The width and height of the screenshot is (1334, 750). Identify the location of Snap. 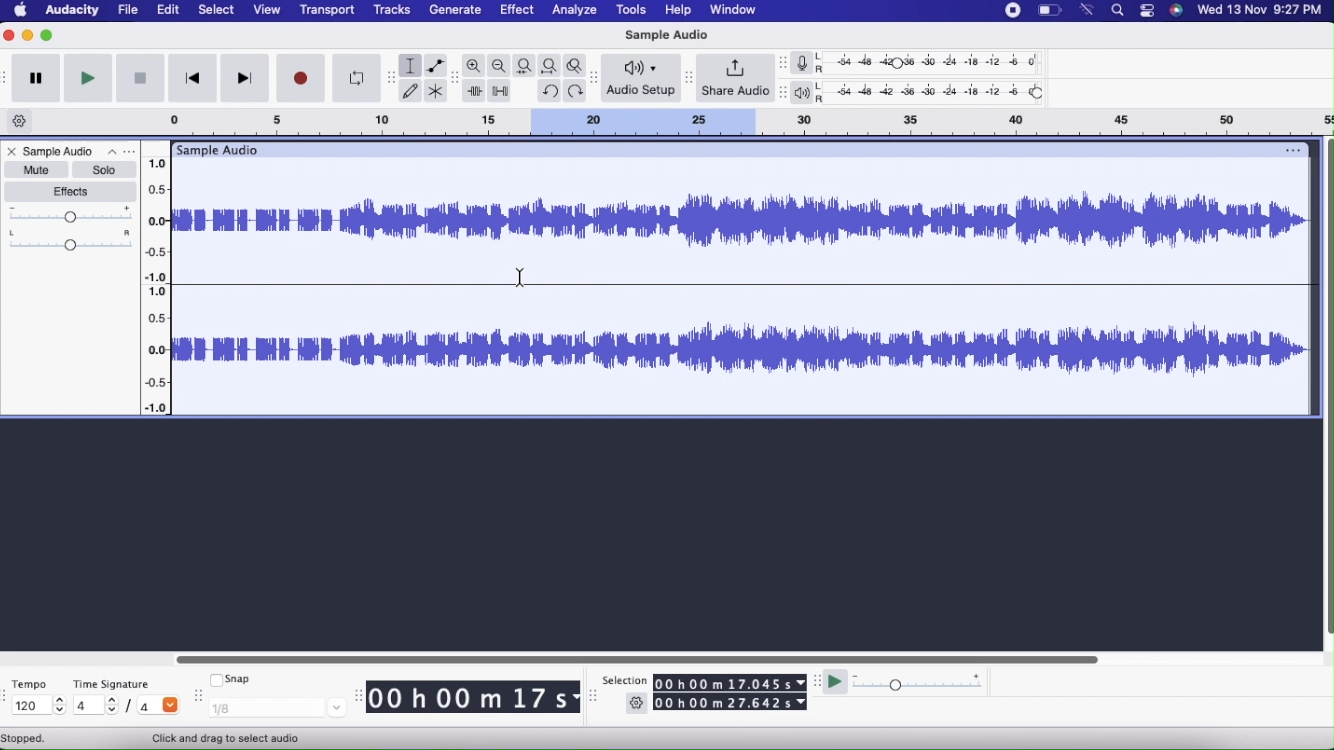
(231, 677).